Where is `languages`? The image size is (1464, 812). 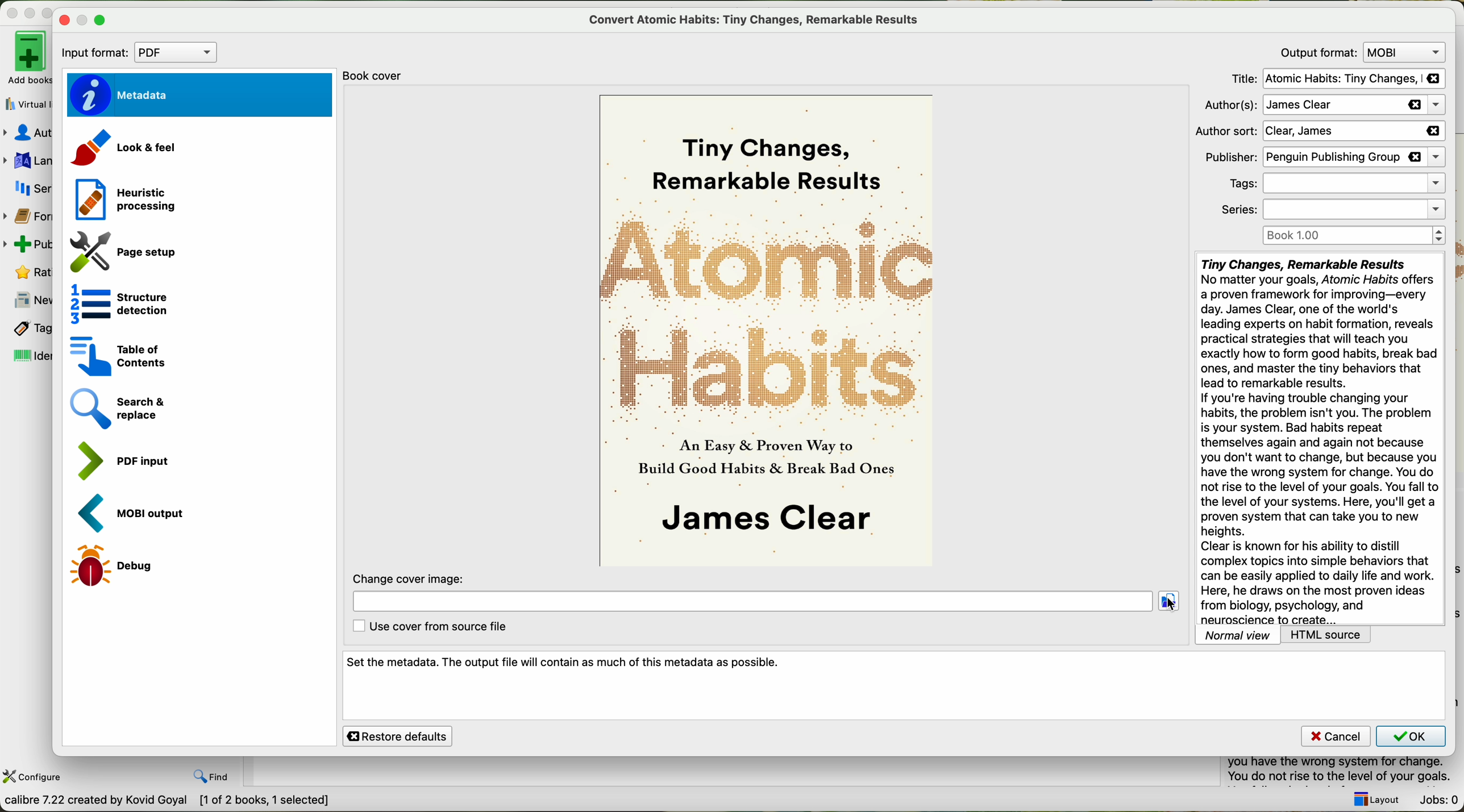 languages is located at coordinates (26, 162).